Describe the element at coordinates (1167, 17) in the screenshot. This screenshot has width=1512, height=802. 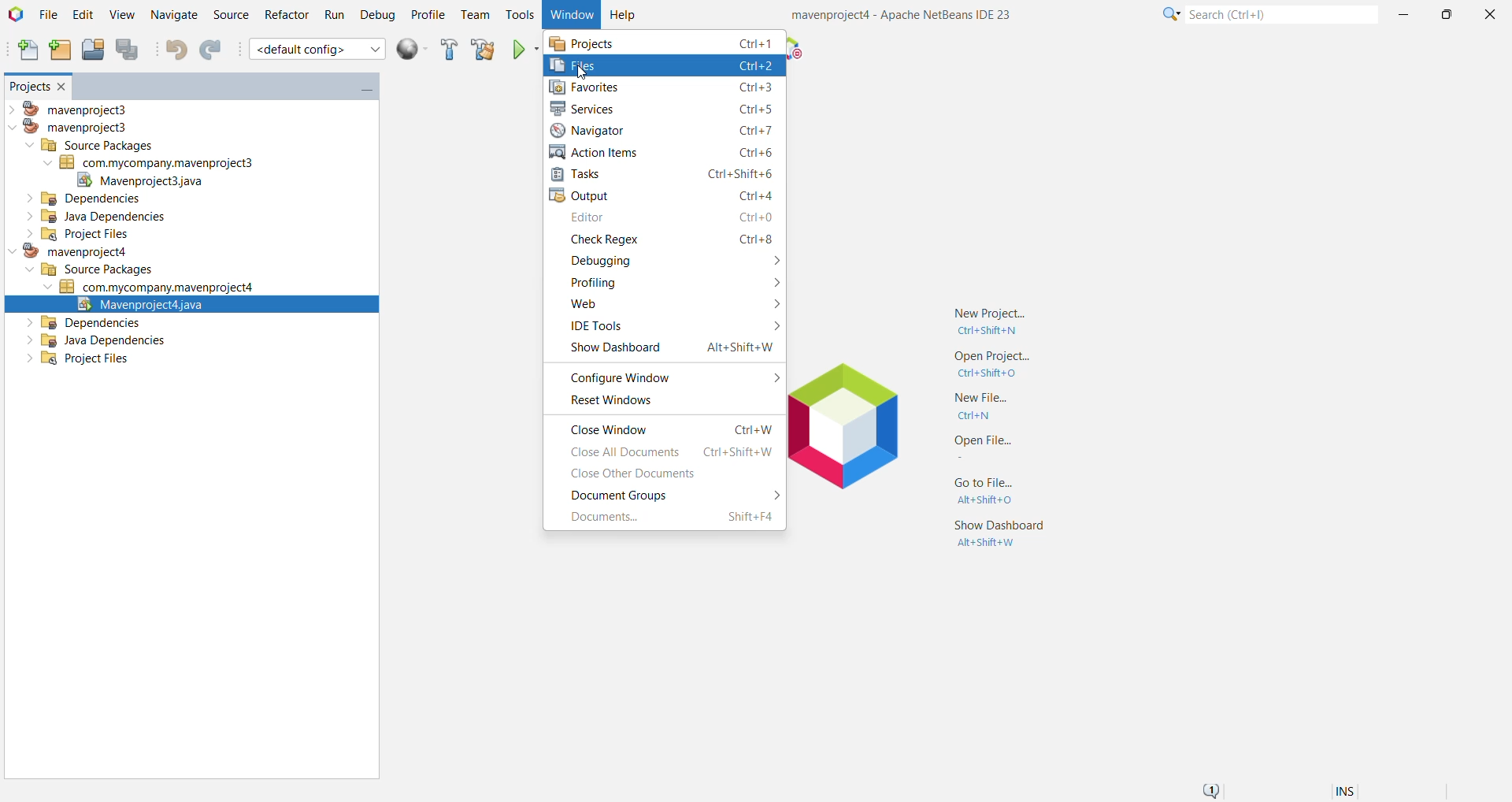
I see `Click for Category Selection` at that location.